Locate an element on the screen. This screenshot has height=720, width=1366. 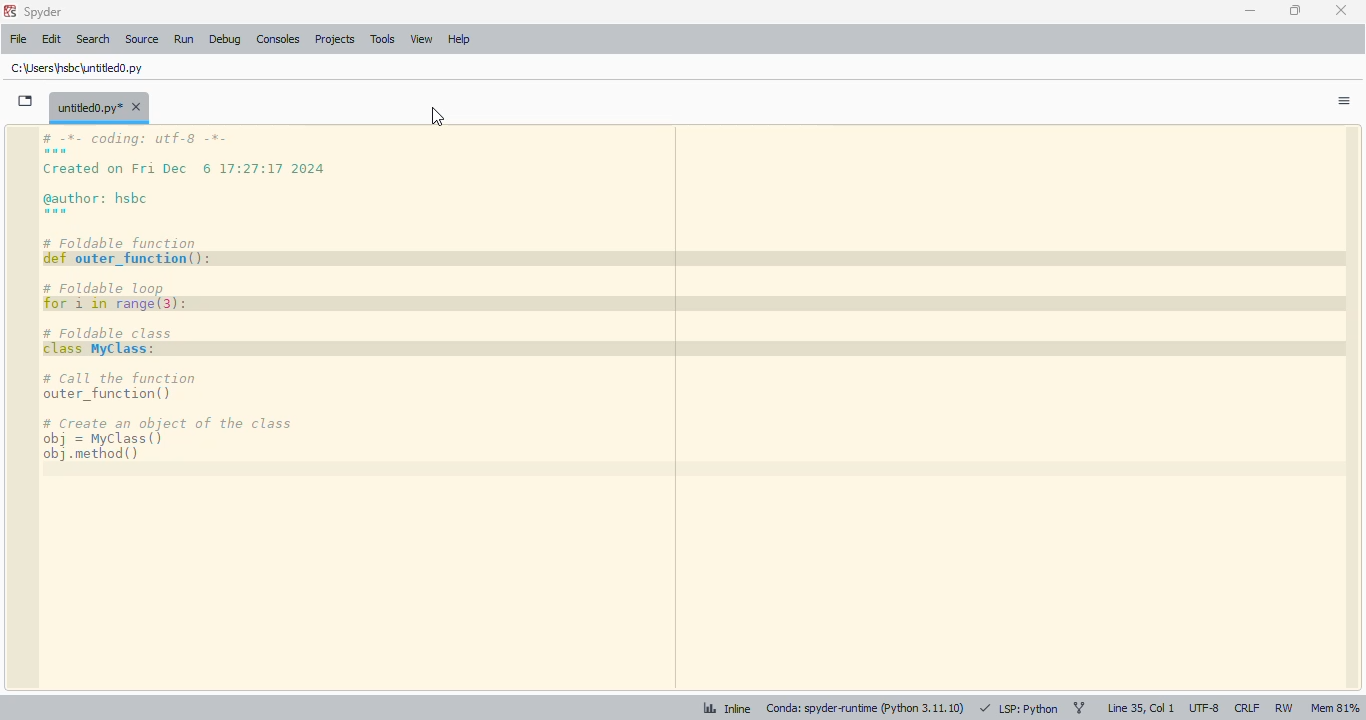
code  is located at coordinates (245, 299).